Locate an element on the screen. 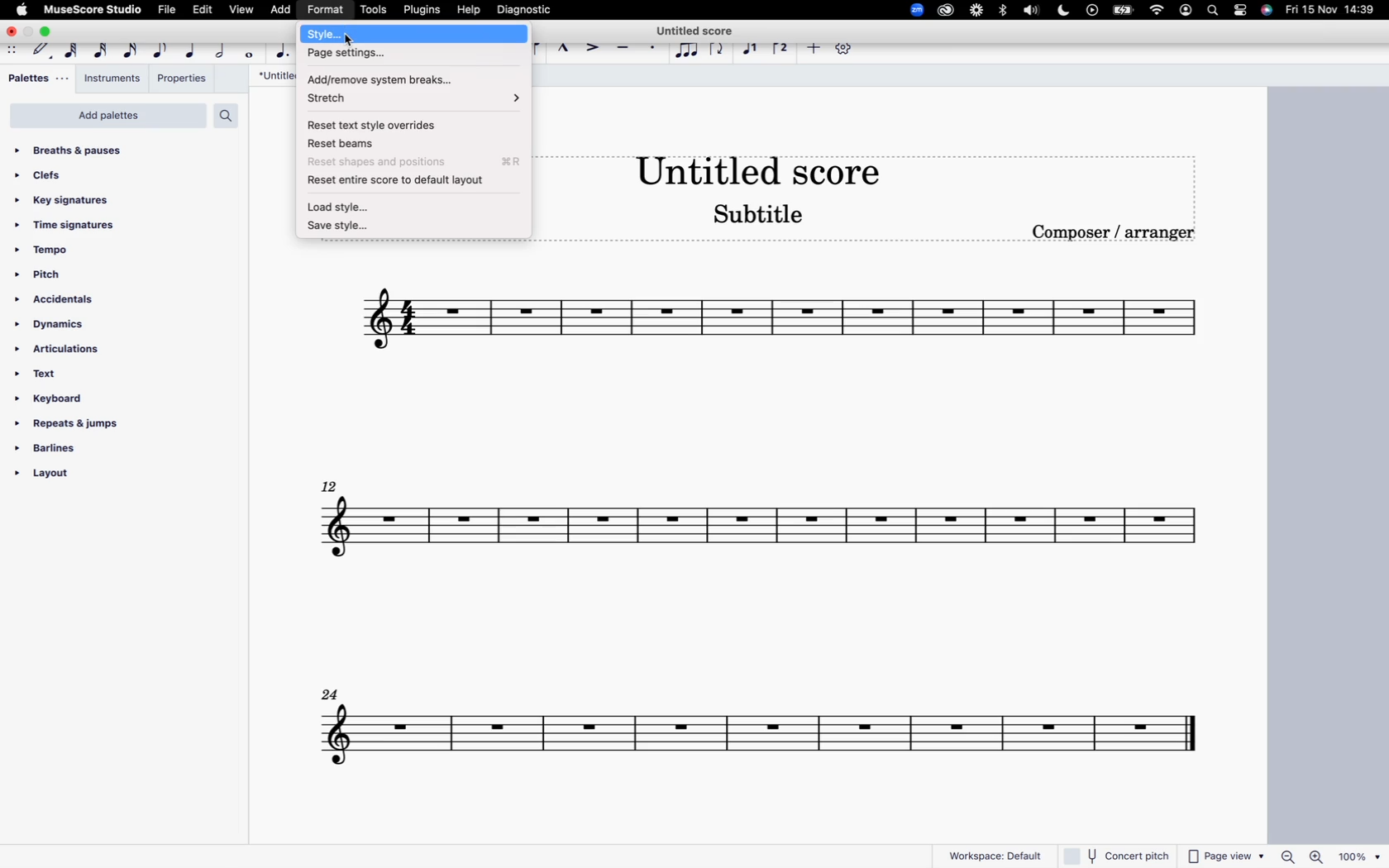 The width and height of the screenshot is (1389, 868). reset shapes and position is located at coordinates (416, 160).